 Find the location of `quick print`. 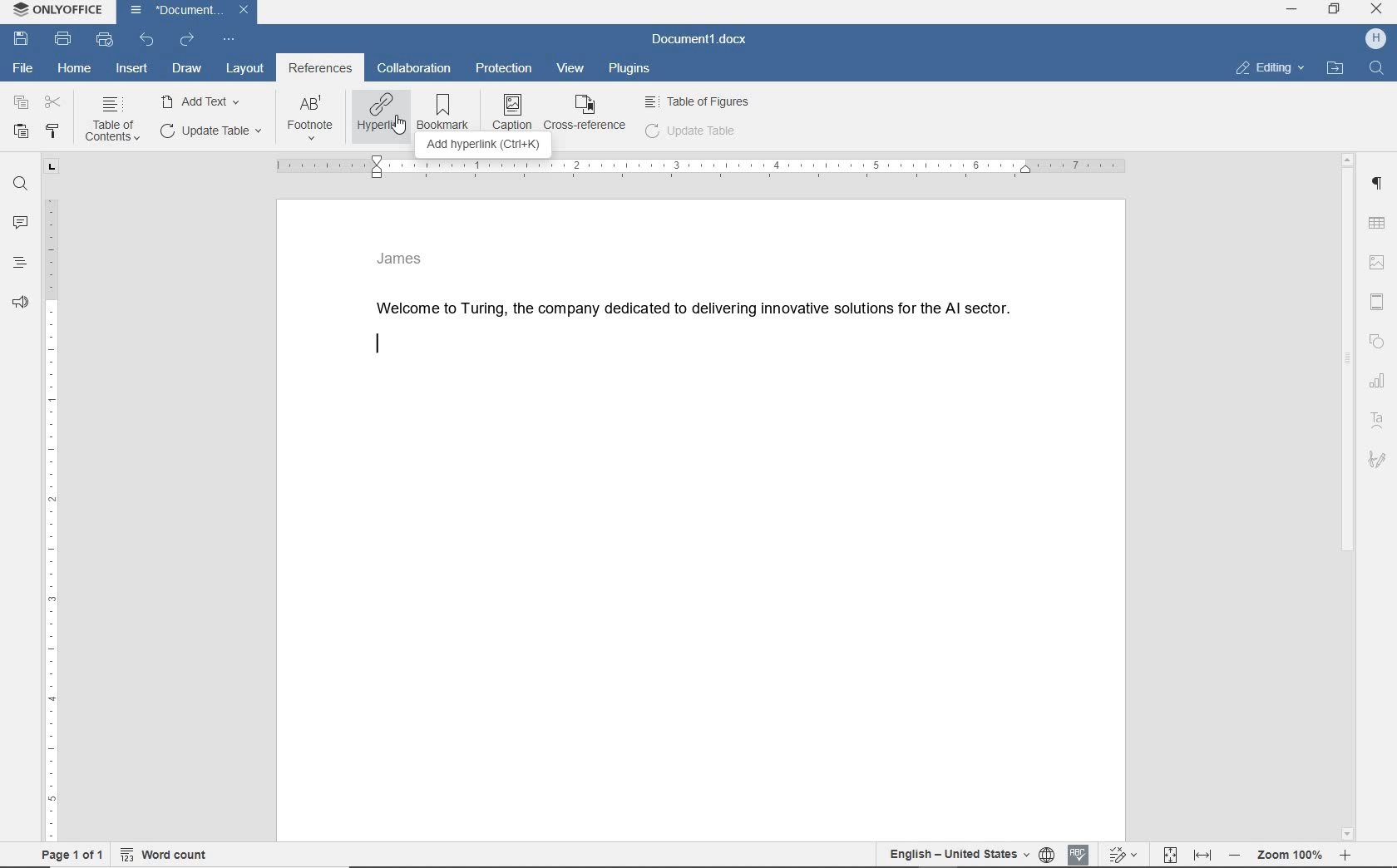

quick print is located at coordinates (103, 39).